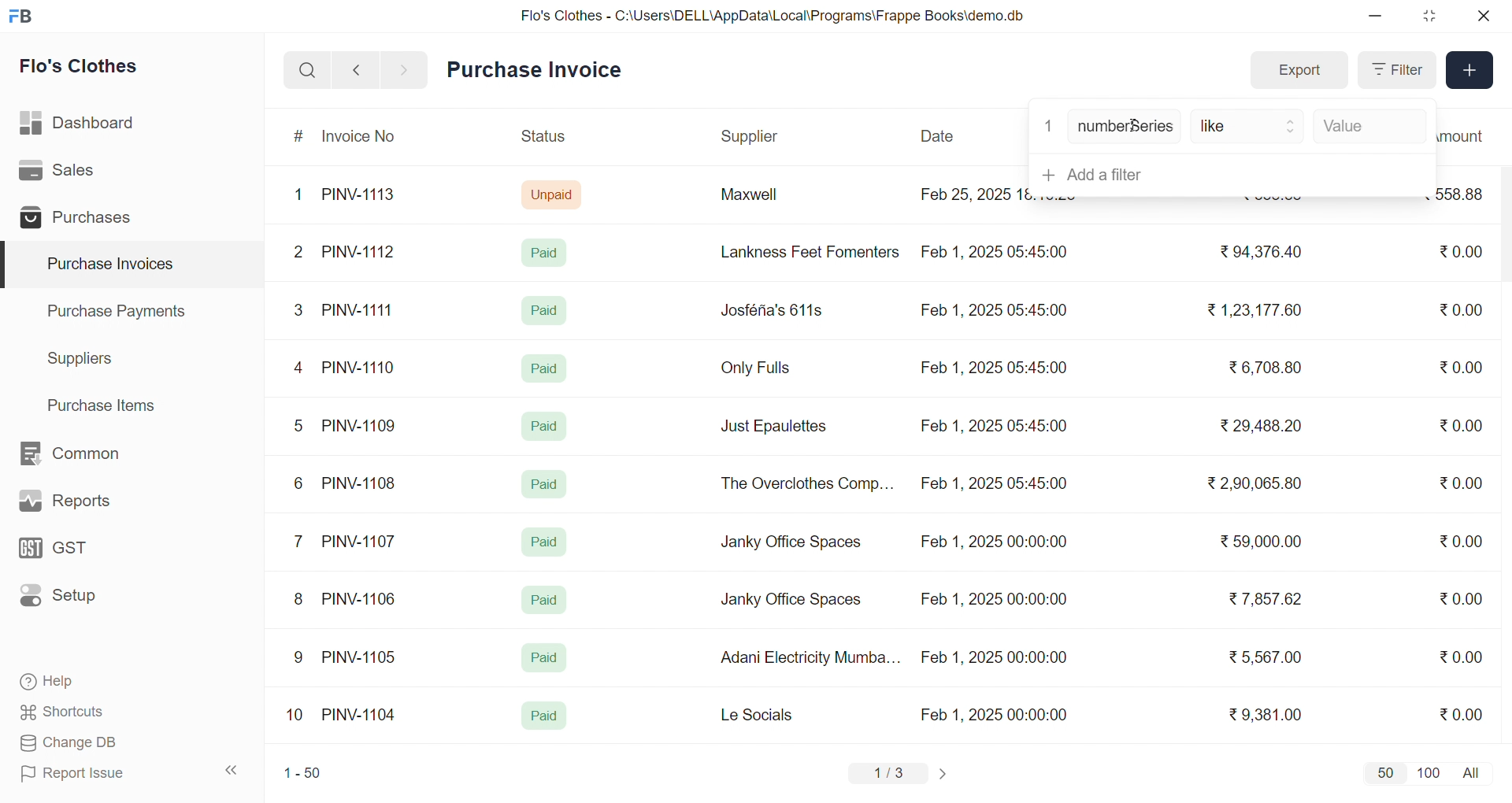  Describe the element at coordinates (301, 254) in the screenshot. I see `2` at that location.